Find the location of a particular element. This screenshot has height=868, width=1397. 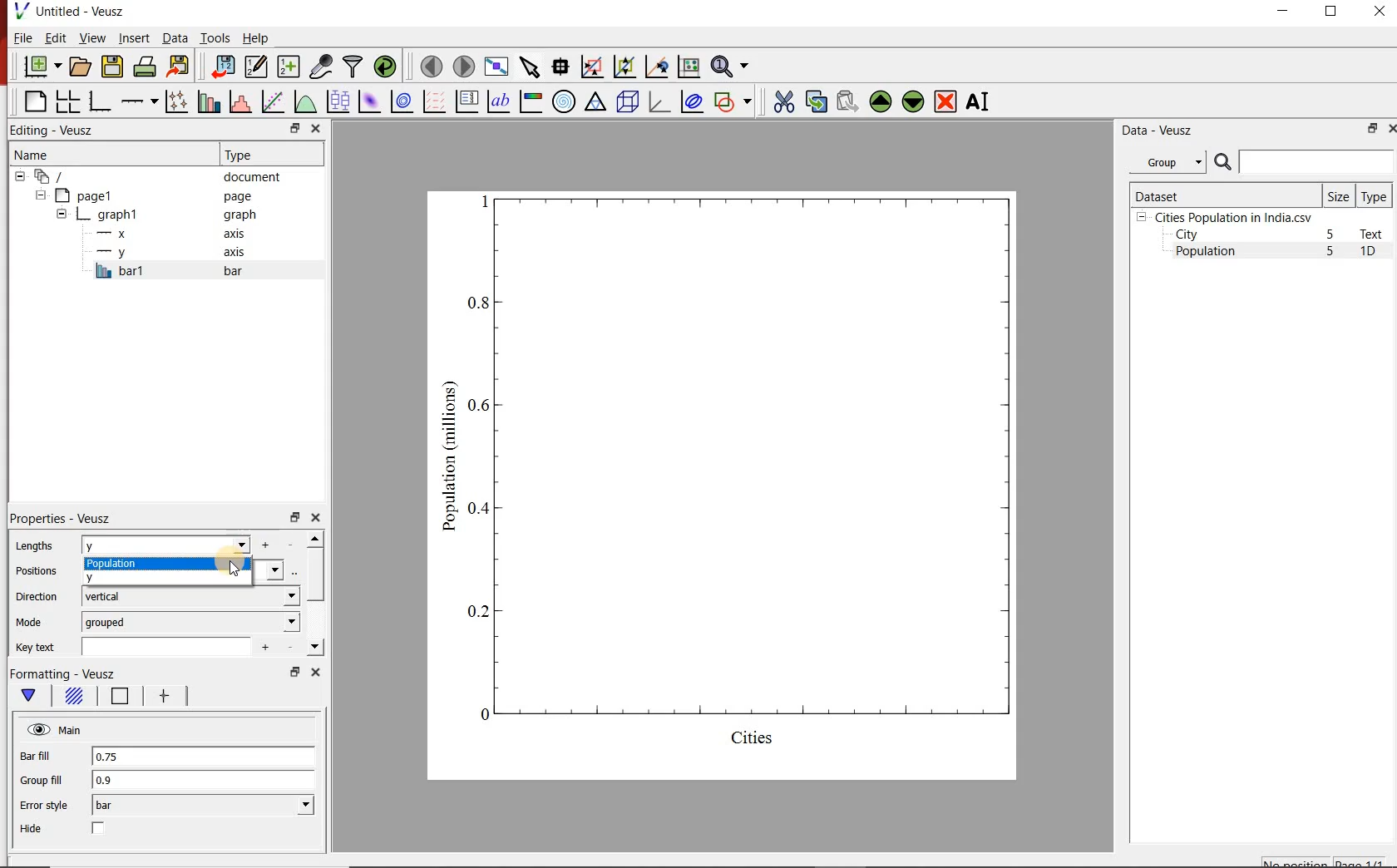

Edit is located at coordinates (54, 38).